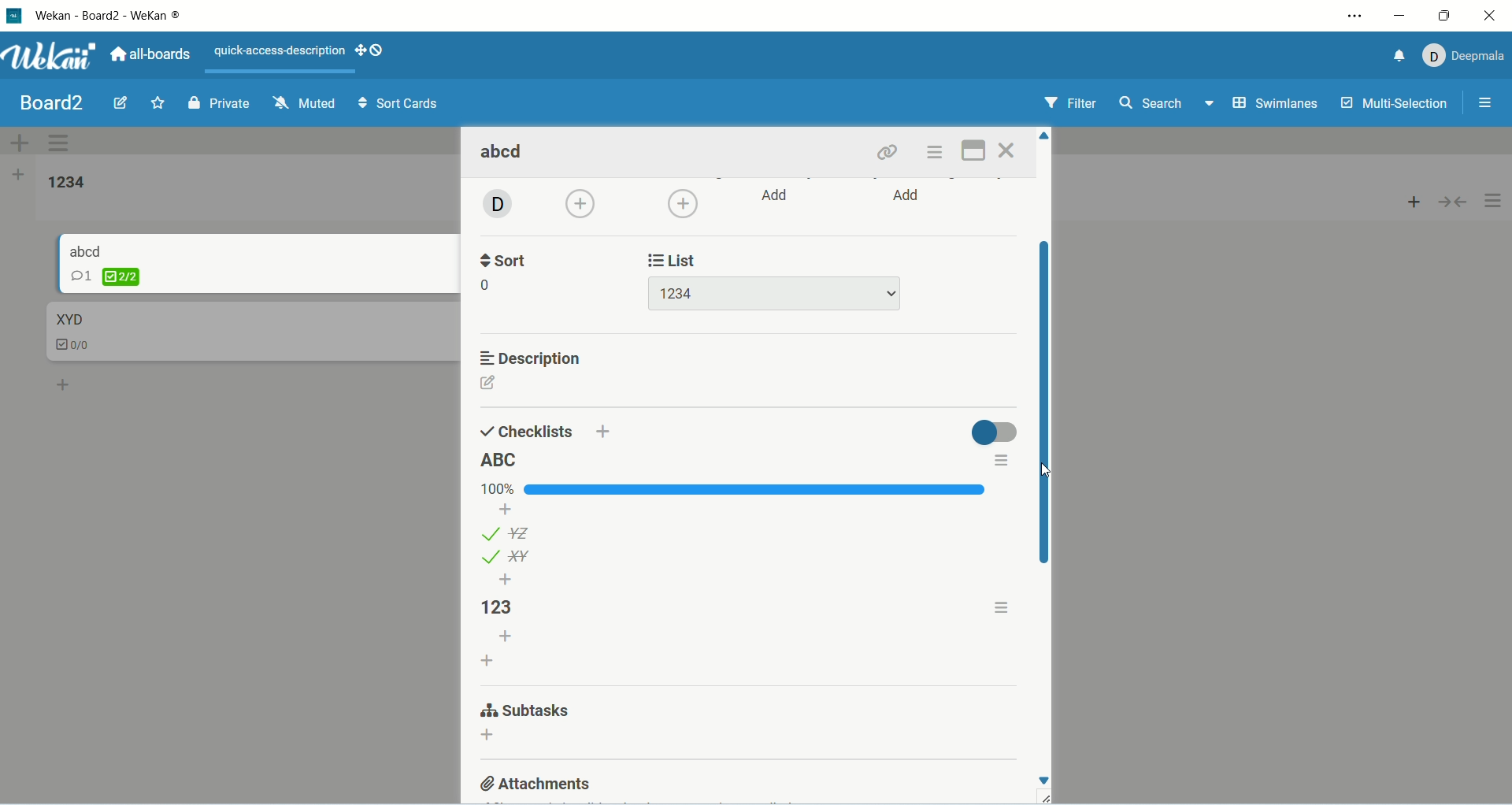  Describe the element at coordinates (69, 318) in the screenshot. I see `card title` at that location.